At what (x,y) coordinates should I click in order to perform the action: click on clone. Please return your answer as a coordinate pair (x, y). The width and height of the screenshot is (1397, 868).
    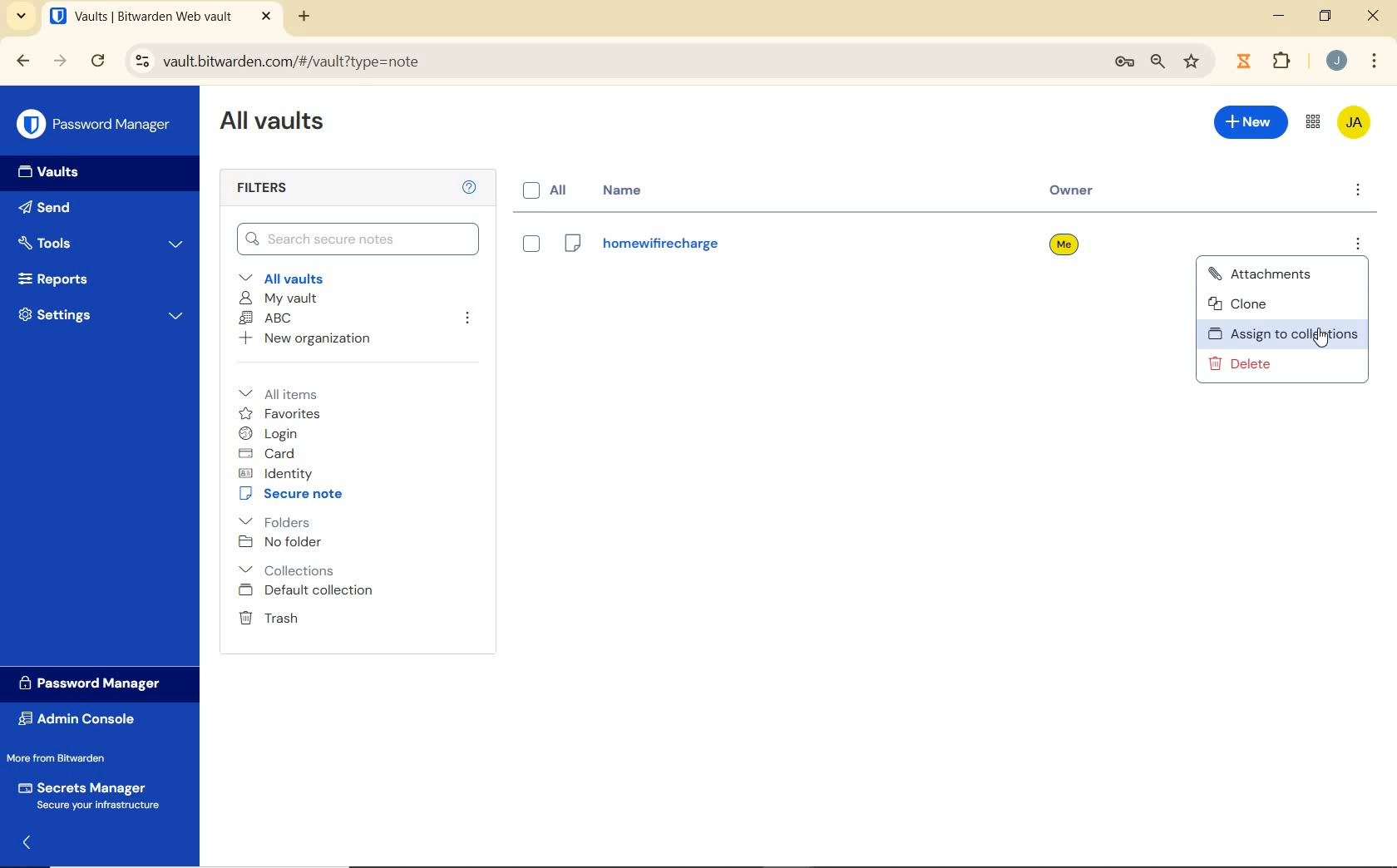
    Looking at the image, I should click on (1242, 303).